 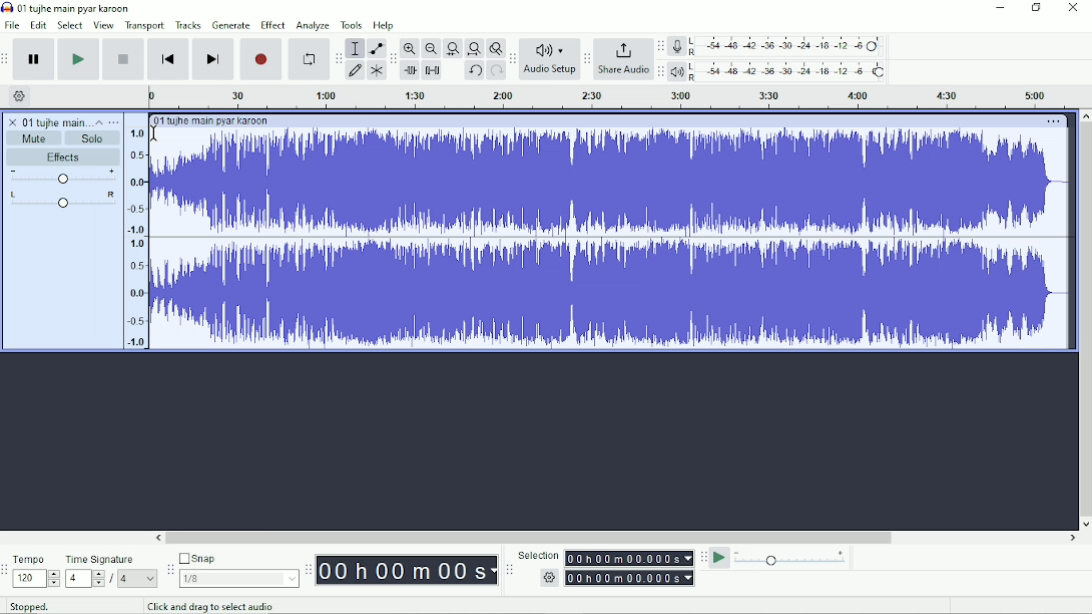 What do you see at coordinates (18, 96) in the screenshot?
I see `Timeline options` at bounding box center [18, 96].